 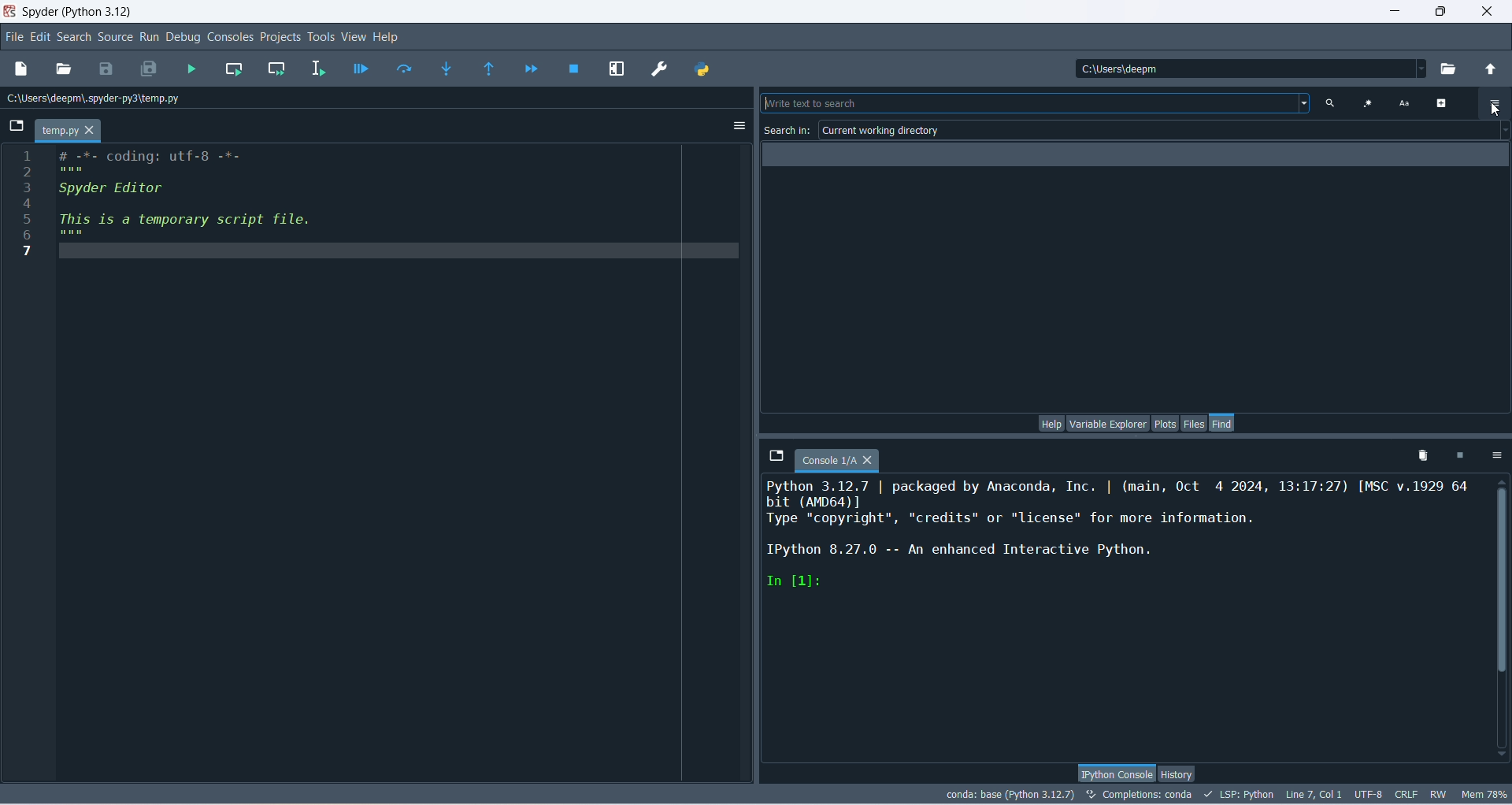 What do you see at coordinates (186, 38) in the screenshot?
I see `debug` at bounding box center [186, 38].